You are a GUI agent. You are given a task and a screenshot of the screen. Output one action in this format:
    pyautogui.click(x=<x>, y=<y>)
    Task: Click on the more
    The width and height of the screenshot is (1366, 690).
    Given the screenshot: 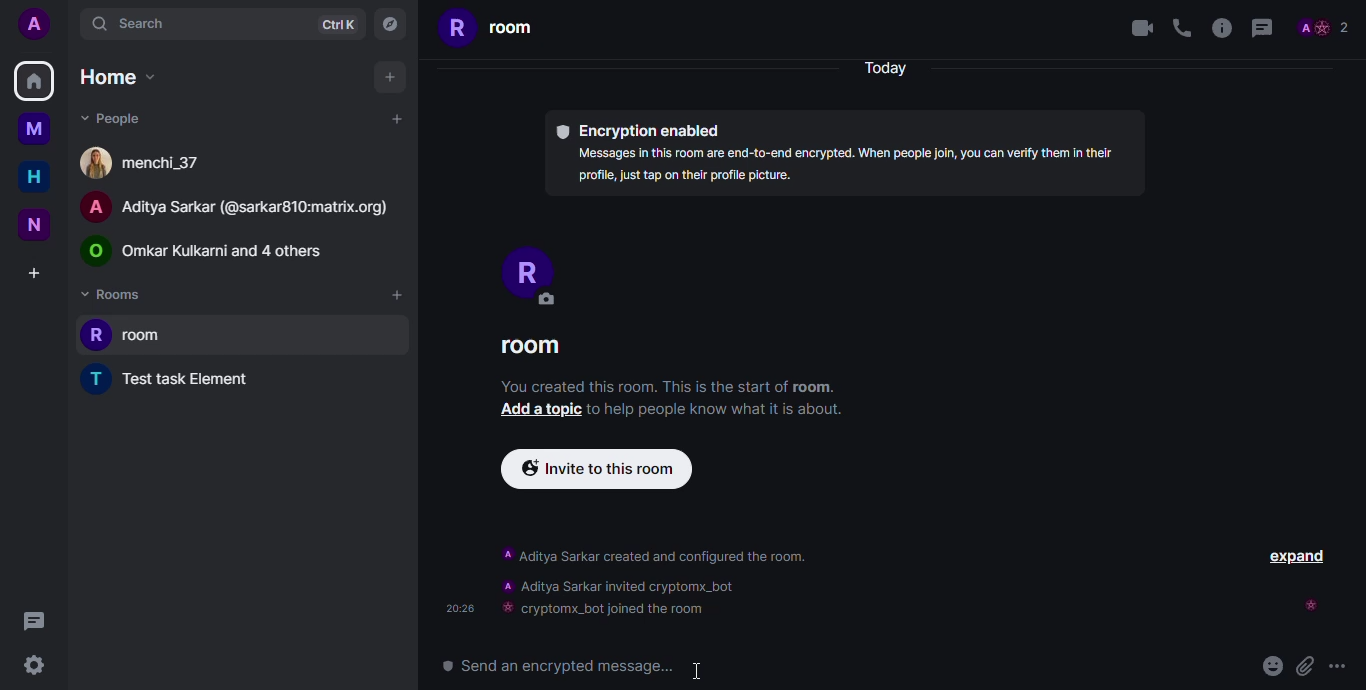 What is the action you would take?
    pyautogui.click(x=1344, y=662)
    